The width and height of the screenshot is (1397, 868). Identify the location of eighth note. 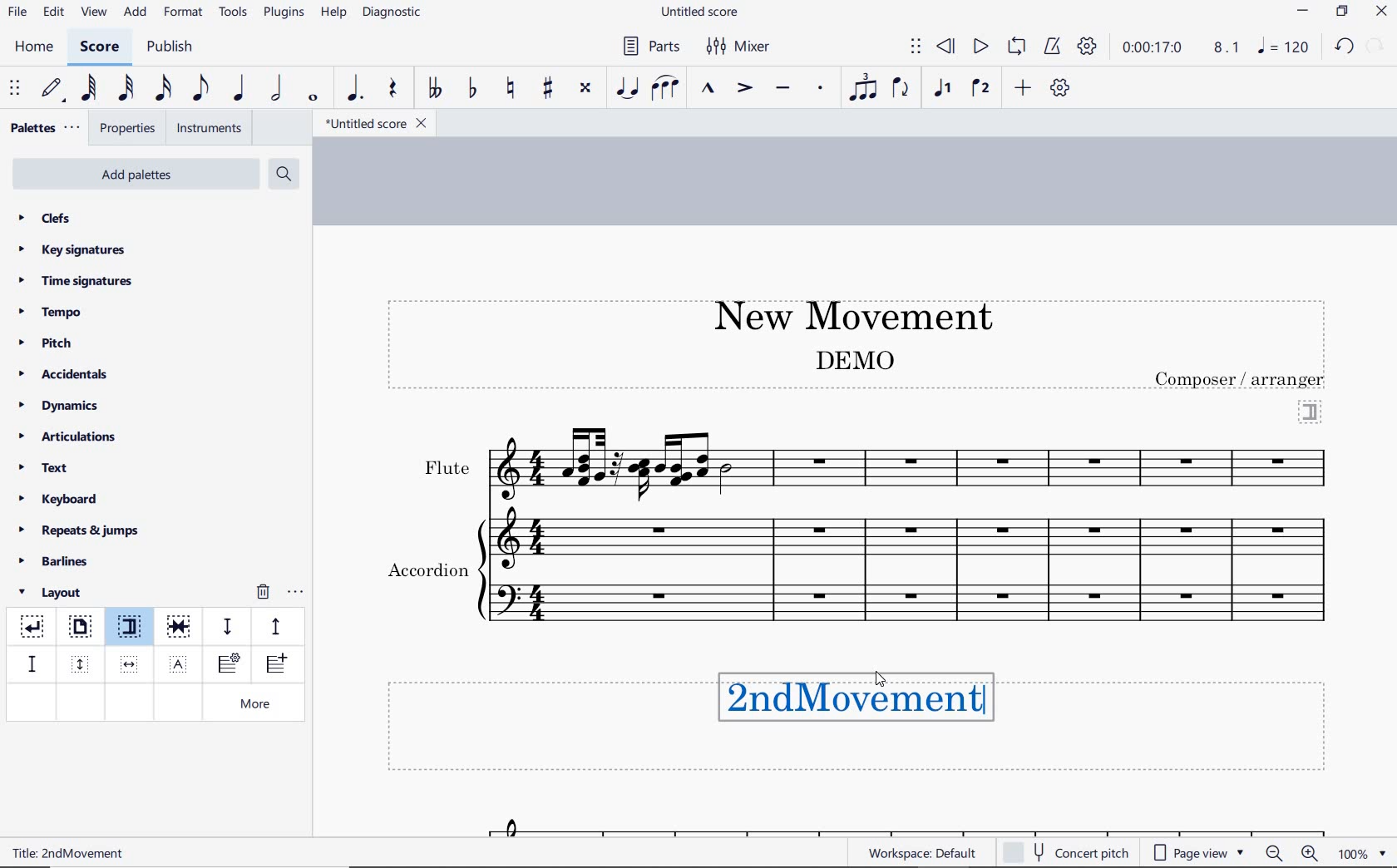
(200, 91).